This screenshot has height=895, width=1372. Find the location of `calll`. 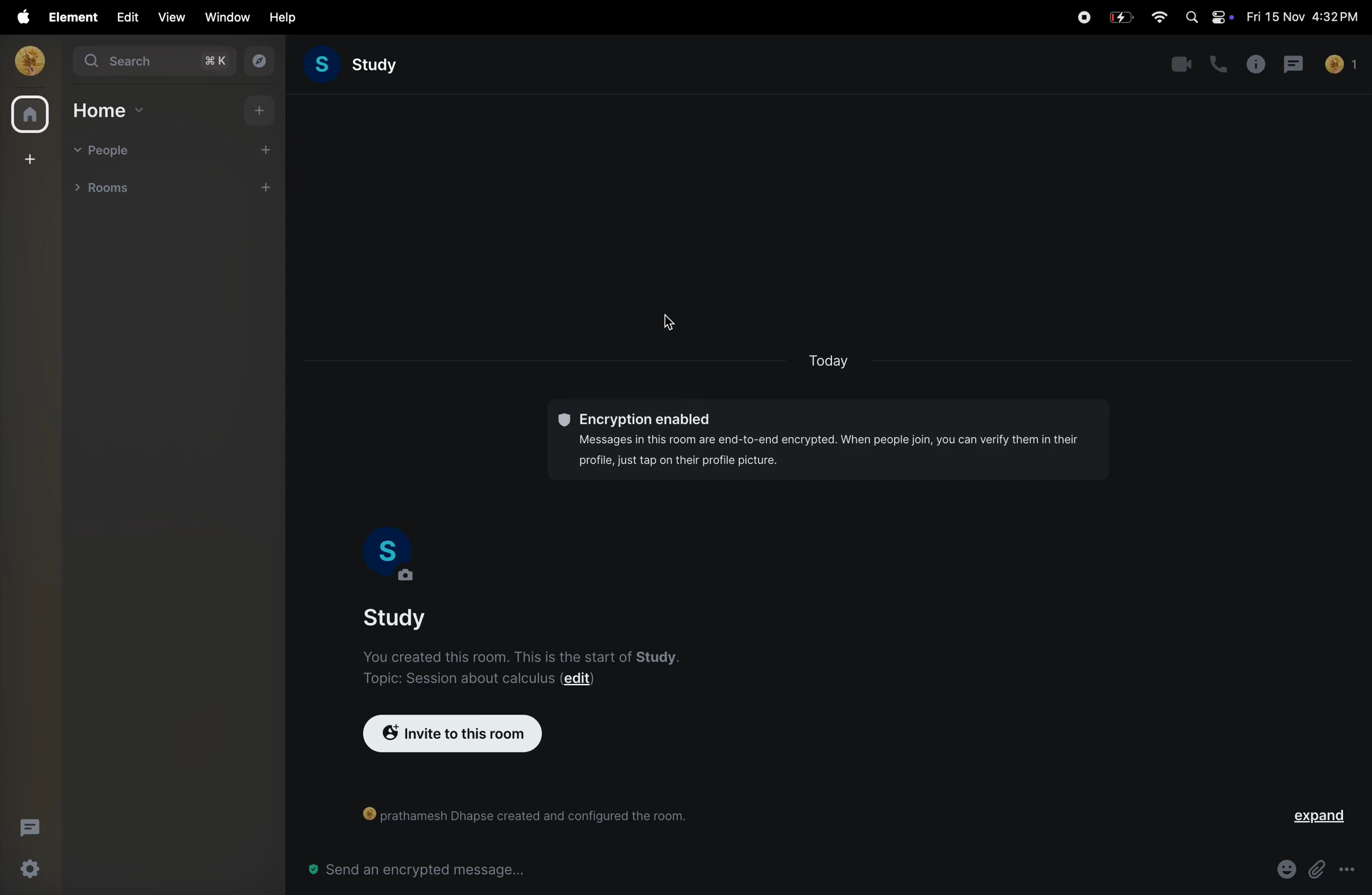

calll is located at coordinates (1215, 63).